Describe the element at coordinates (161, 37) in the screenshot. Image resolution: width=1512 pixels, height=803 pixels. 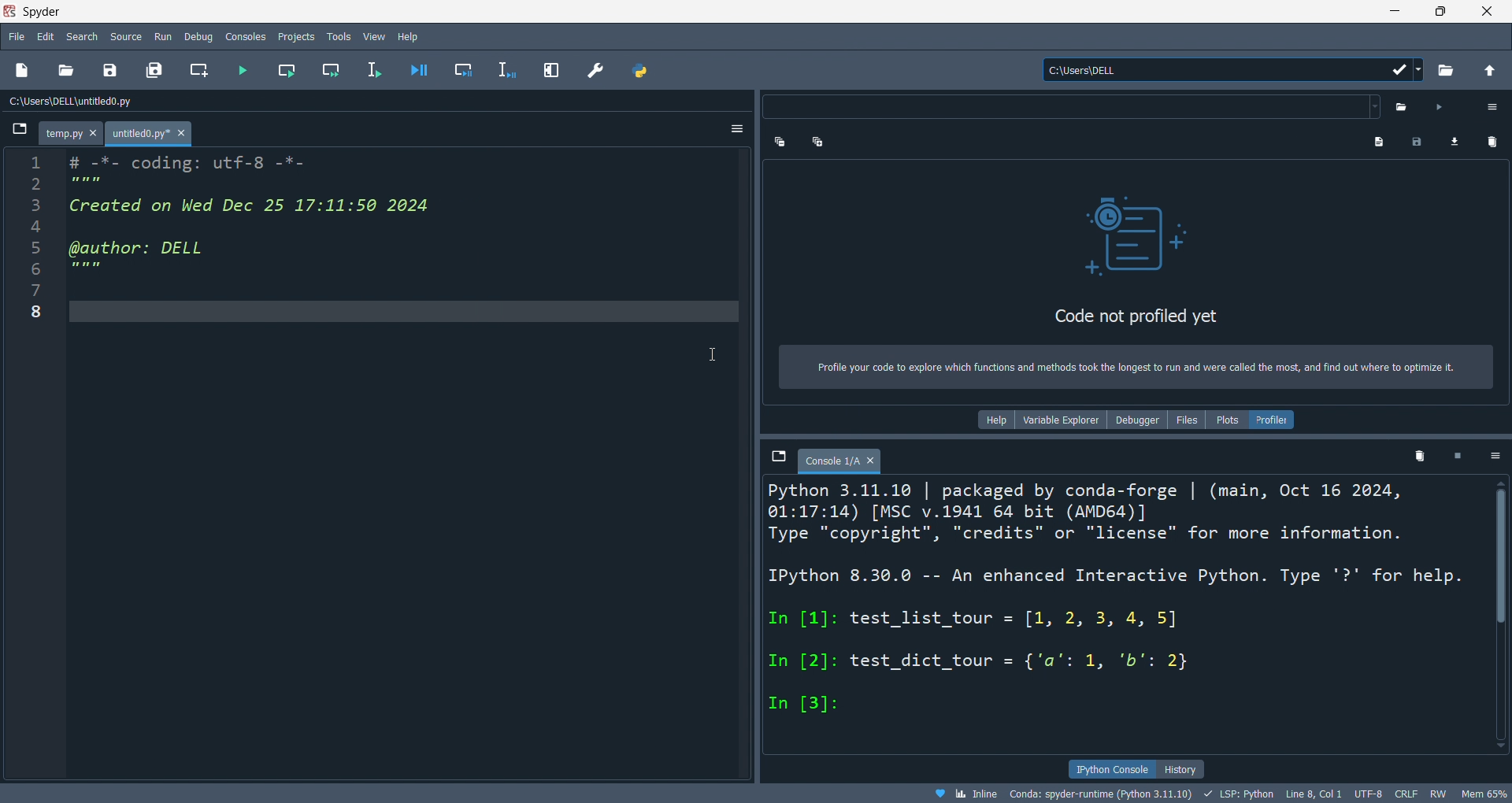
I see `run` at that location.